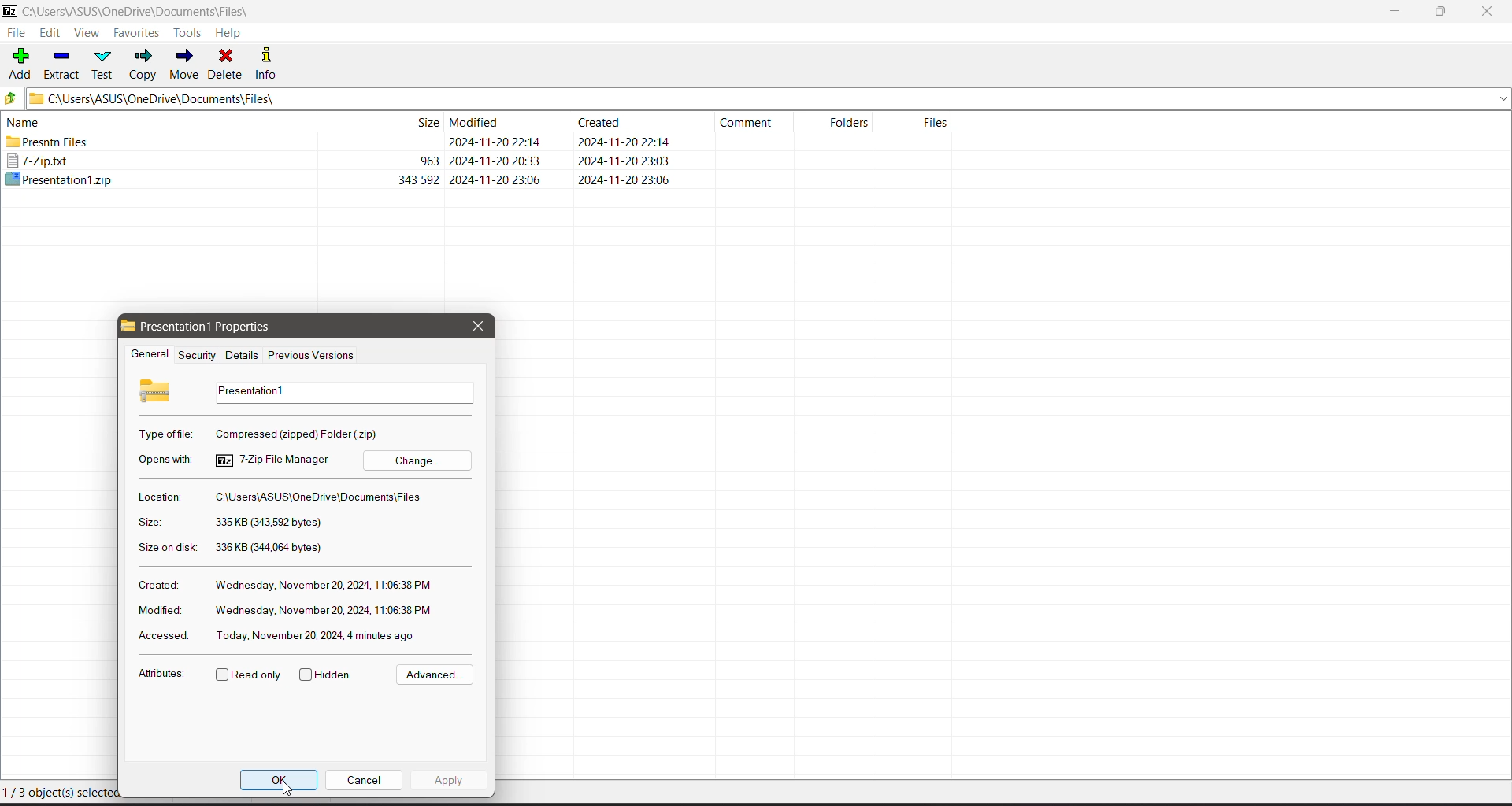 Image resolution: width=1512 pixels, height=806 pixels. I want to click on Move, so click(184, 65).